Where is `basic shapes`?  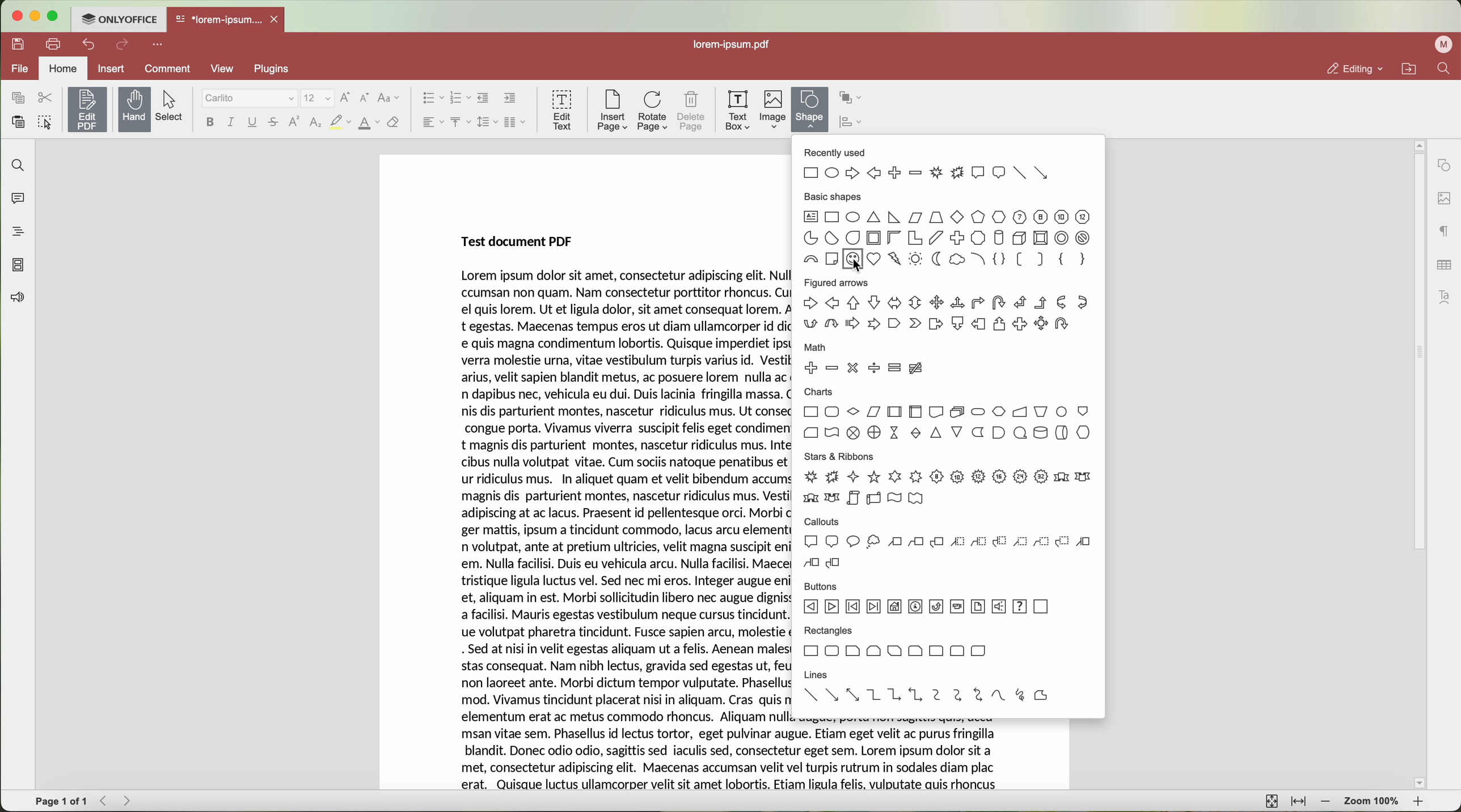 basic shapes is located at coordinates (978, 260).